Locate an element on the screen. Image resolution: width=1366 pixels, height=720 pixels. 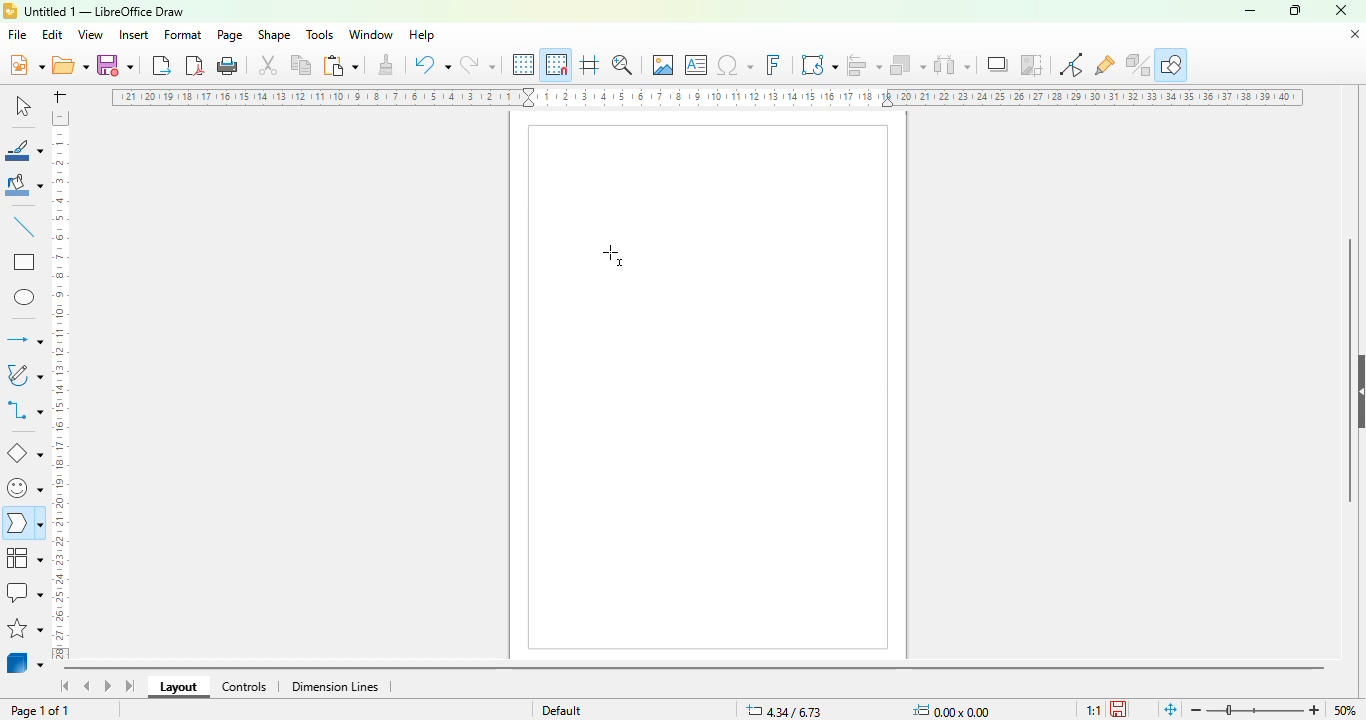
scroll to last sheet is located at coordinates (131, 686).